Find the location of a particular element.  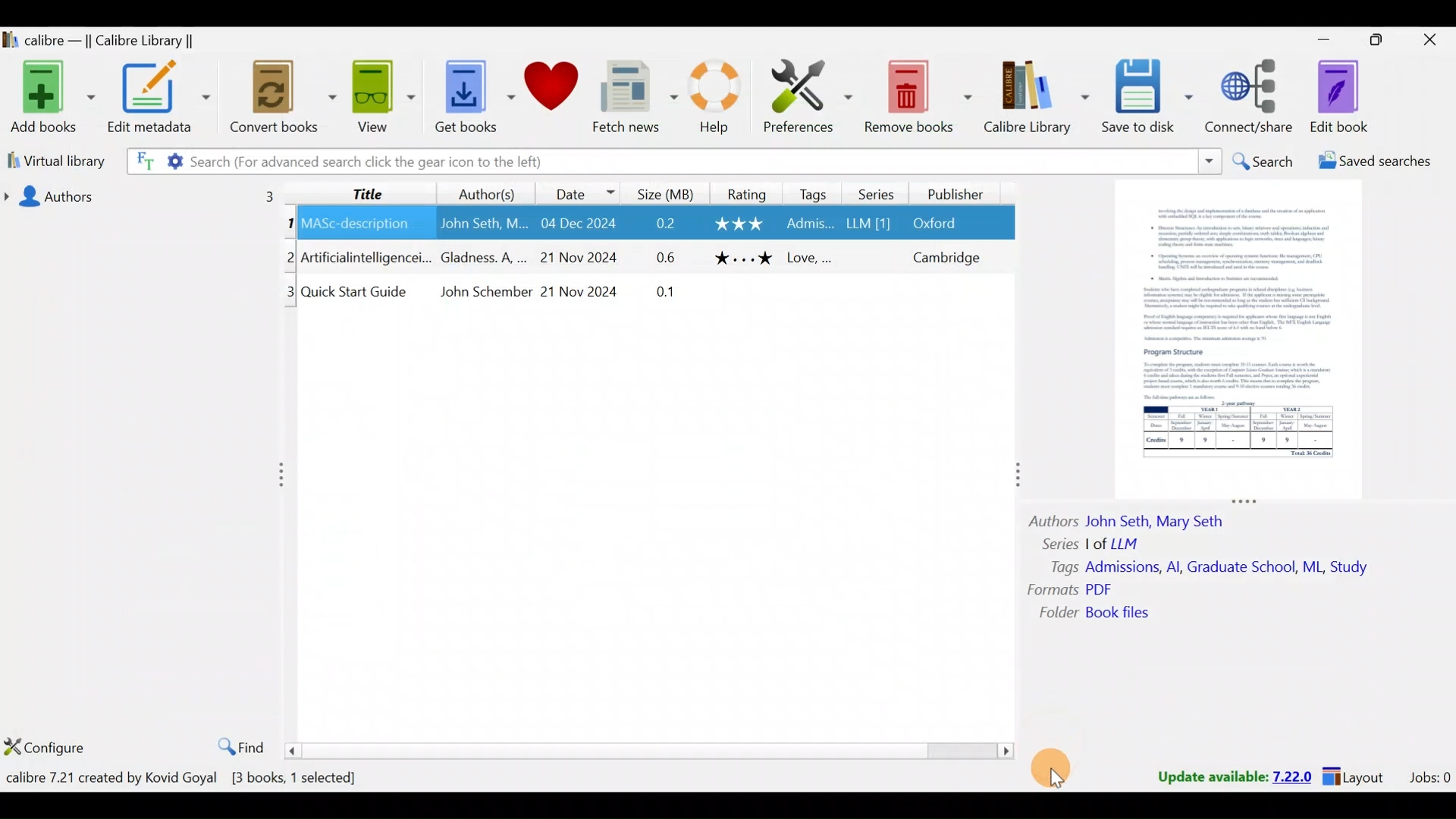

Series is located at coordinates (881, 193).